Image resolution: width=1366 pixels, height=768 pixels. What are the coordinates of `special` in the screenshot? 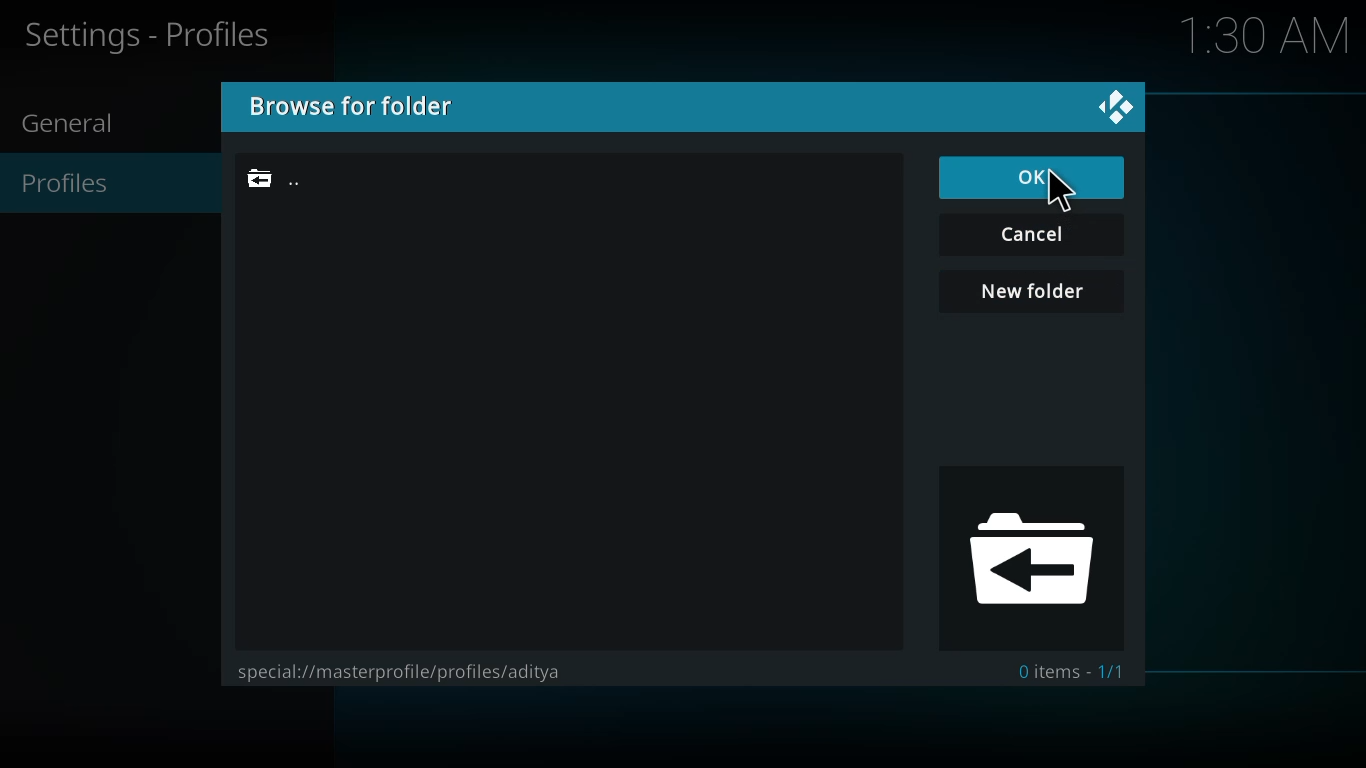 It's located at (407, 671).